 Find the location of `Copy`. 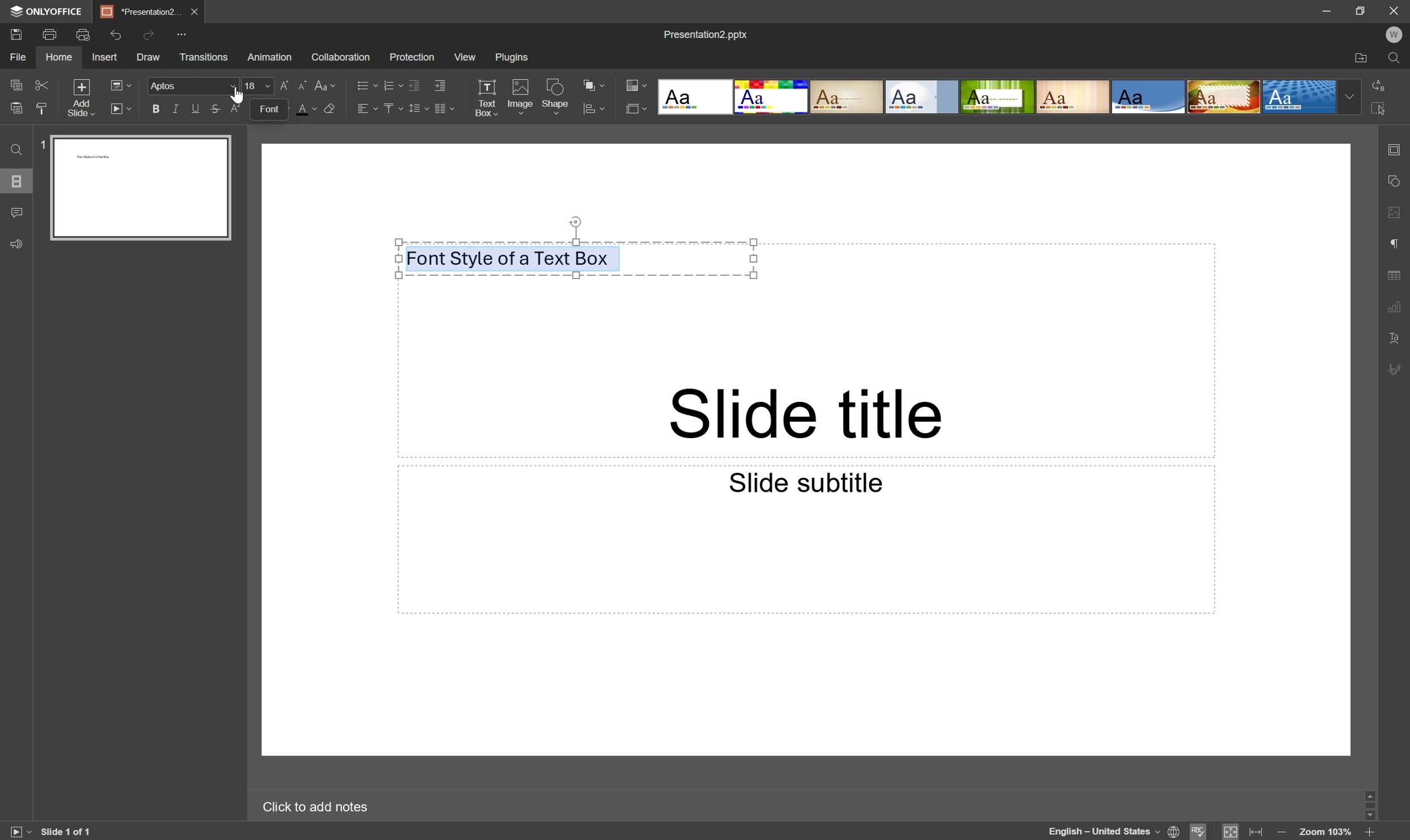

Copy is located at coordinates (17, 84).